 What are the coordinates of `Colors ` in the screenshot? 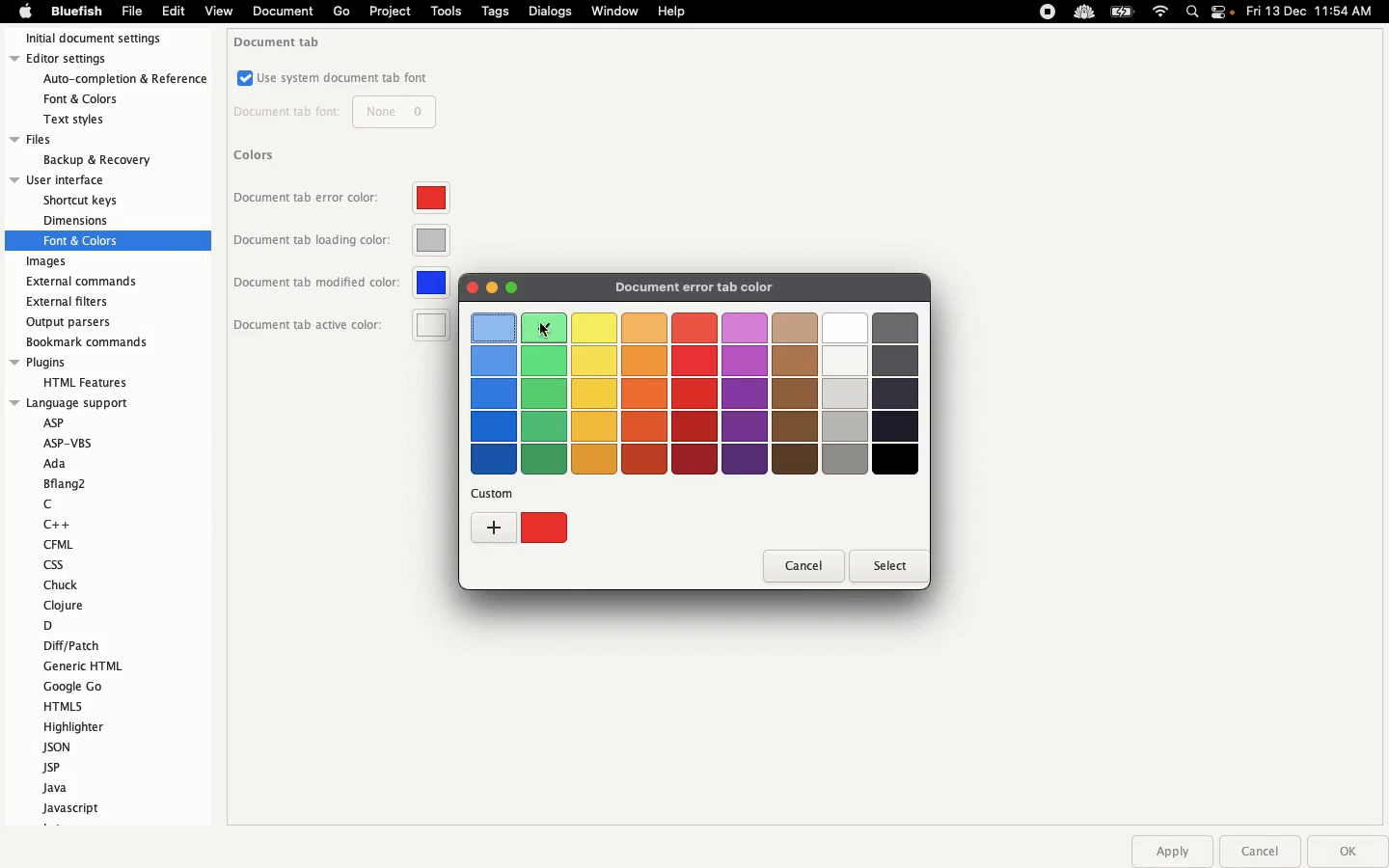 It's located at (257, 154).